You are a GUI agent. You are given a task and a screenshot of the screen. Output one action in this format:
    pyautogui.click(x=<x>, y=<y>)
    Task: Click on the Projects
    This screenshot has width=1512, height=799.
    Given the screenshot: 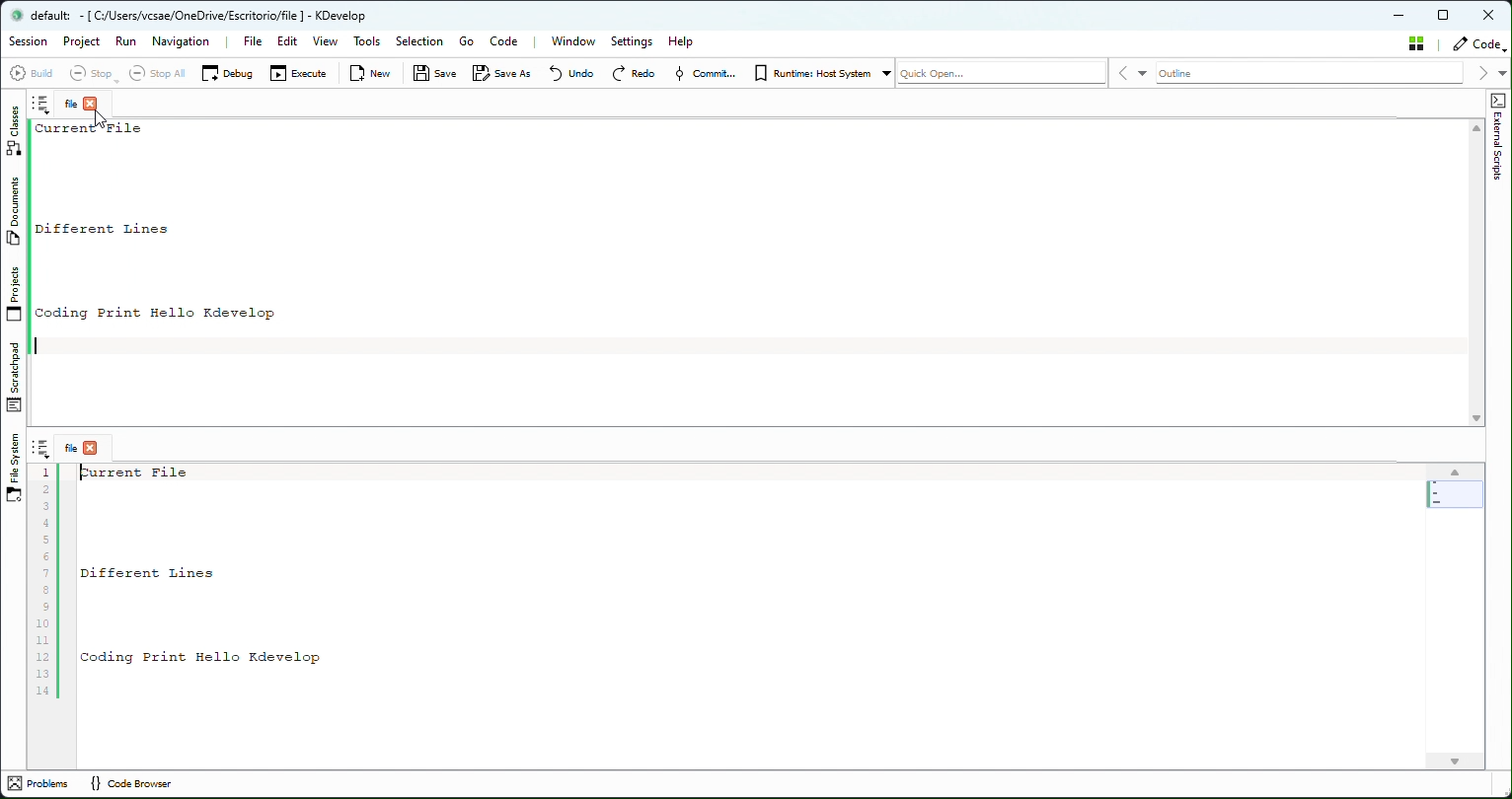 What is the action you would take?
    pyautogui.click(x=15, y=295)
    